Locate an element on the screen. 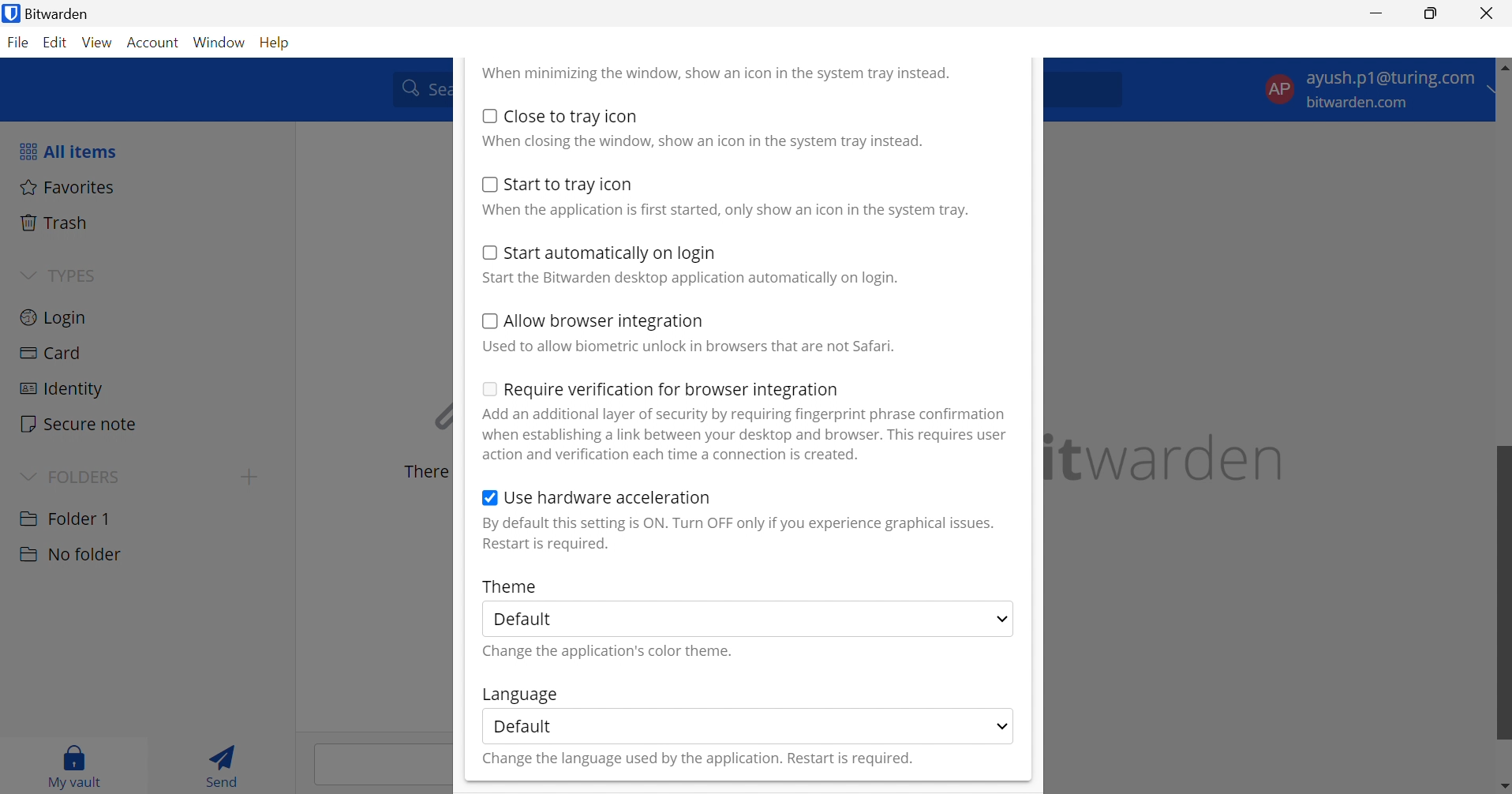  Identity is located at coordinates (60, 389).